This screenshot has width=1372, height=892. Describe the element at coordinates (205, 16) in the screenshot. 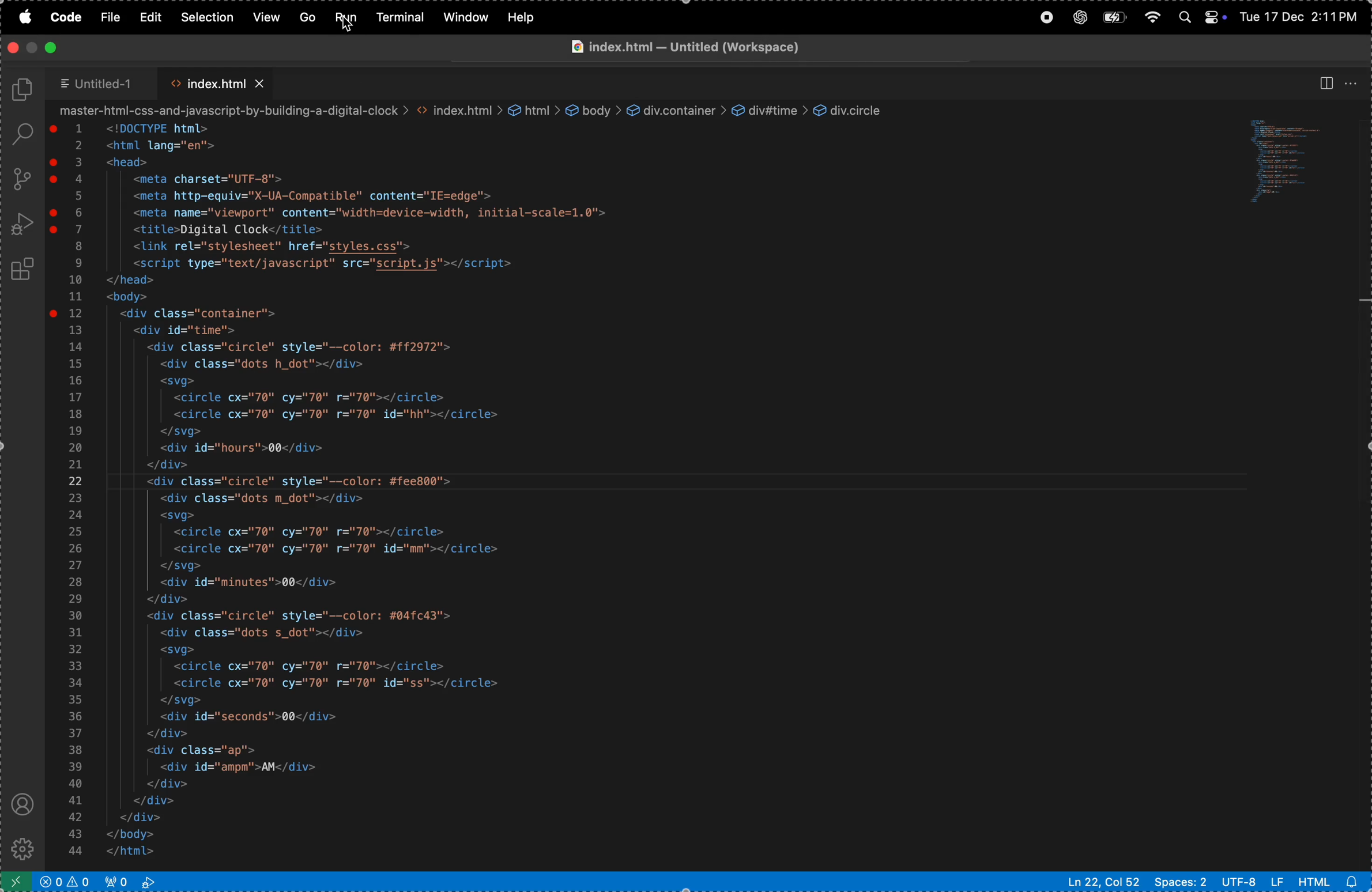

I see `selection` at that location.